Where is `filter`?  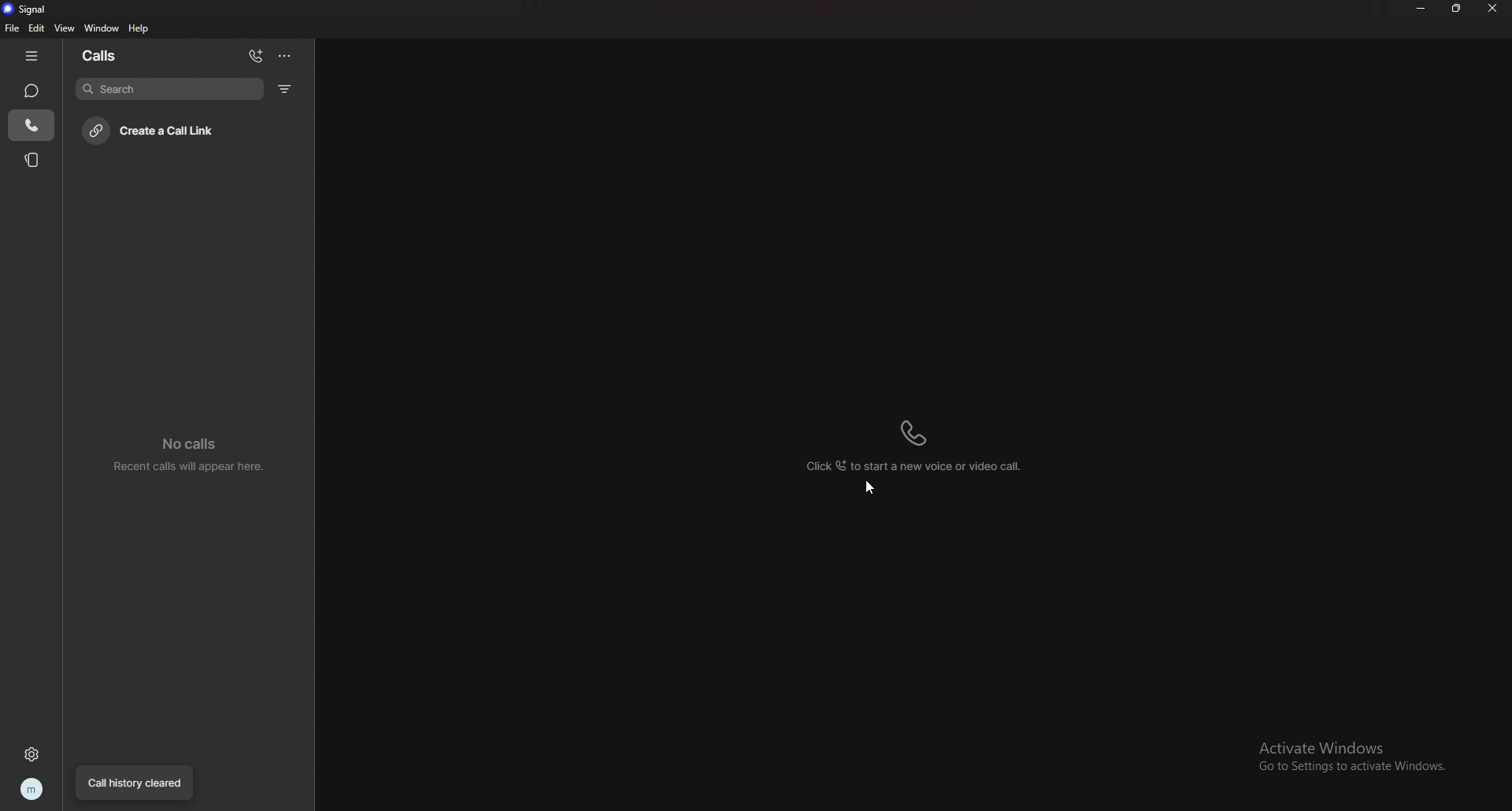
filter is located at coordinates (286, 88).